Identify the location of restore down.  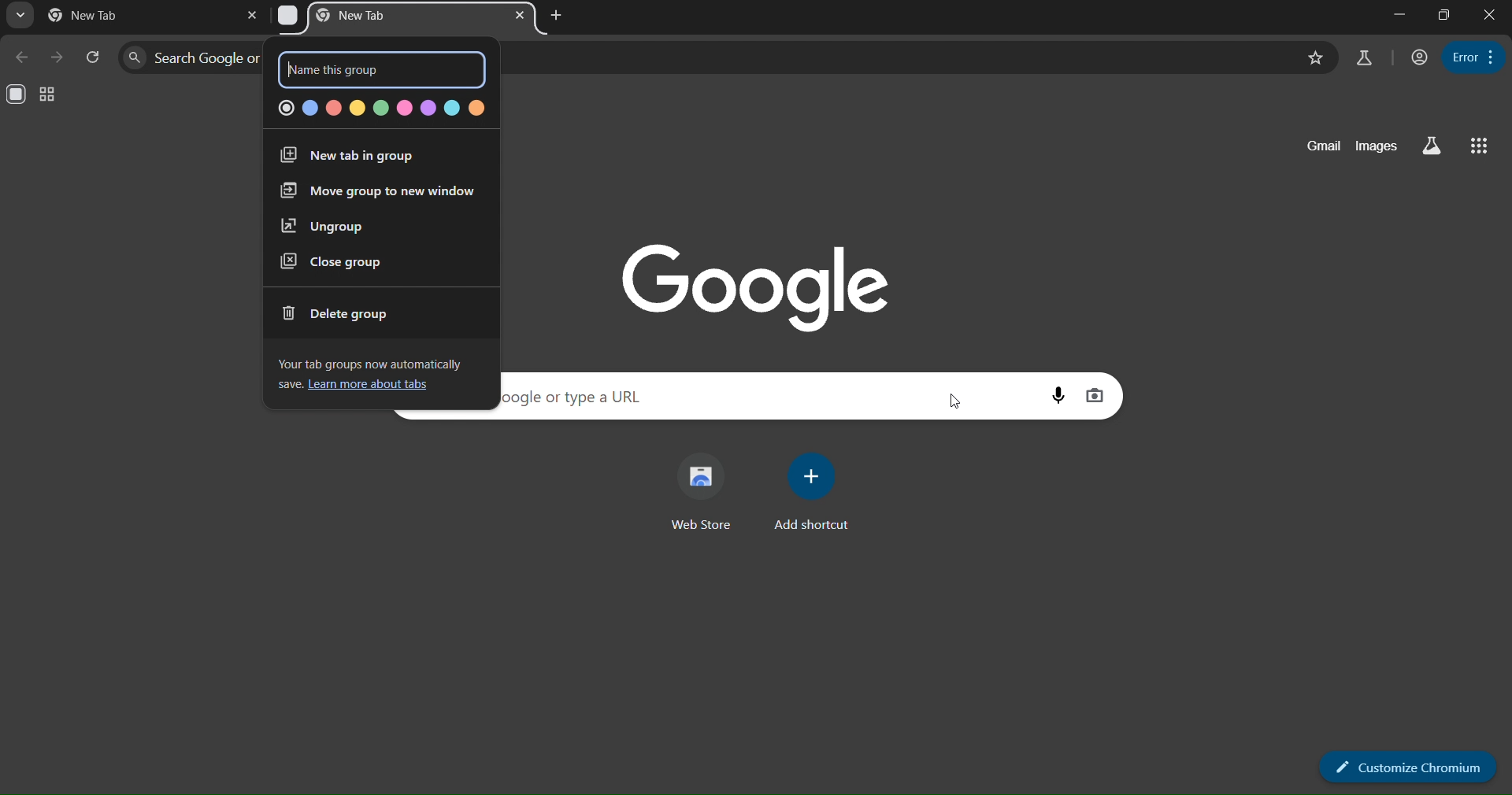
(1445, 17).